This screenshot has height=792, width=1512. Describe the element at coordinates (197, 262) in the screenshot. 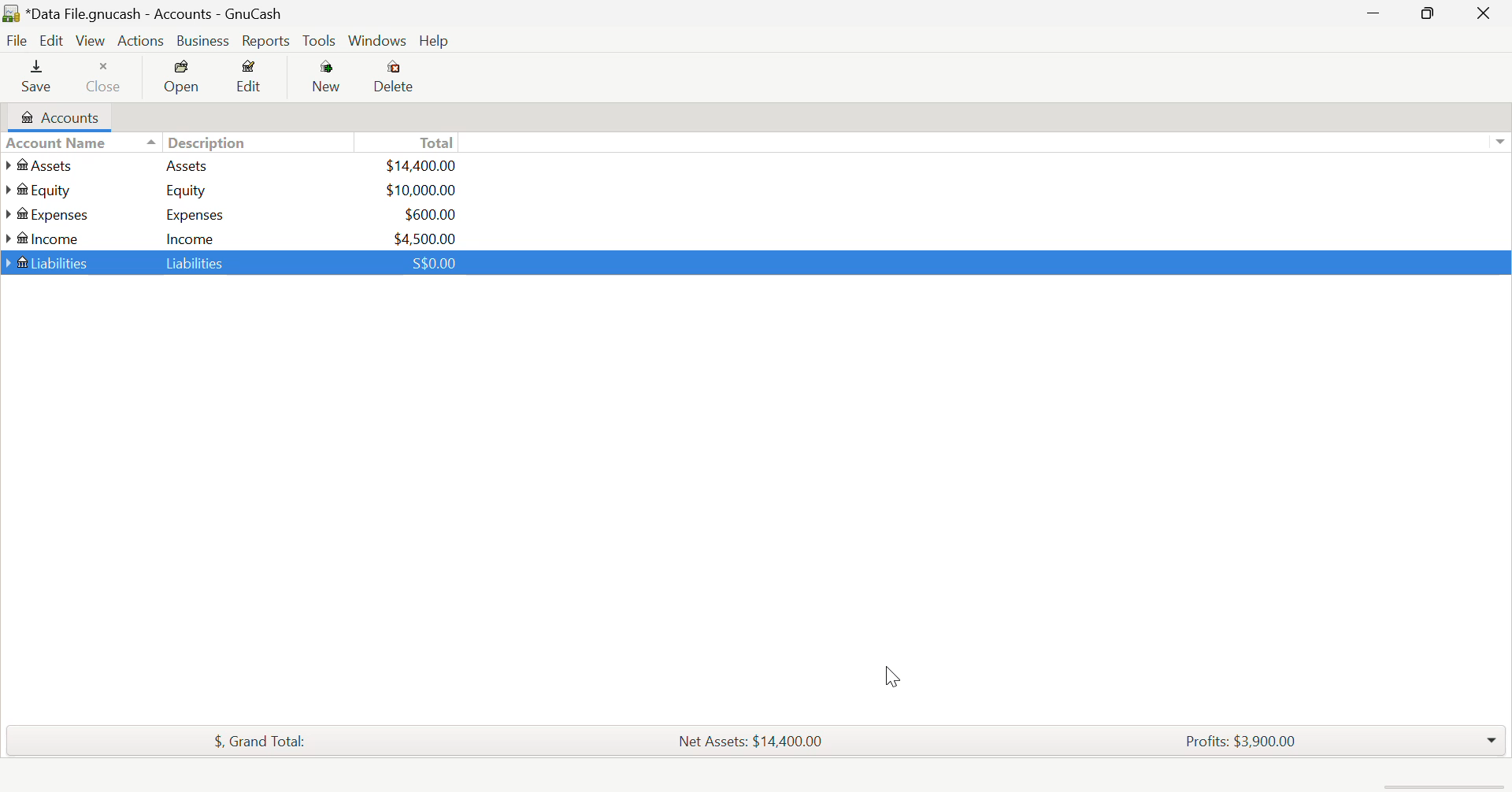

I see `Liabilities` at that location.